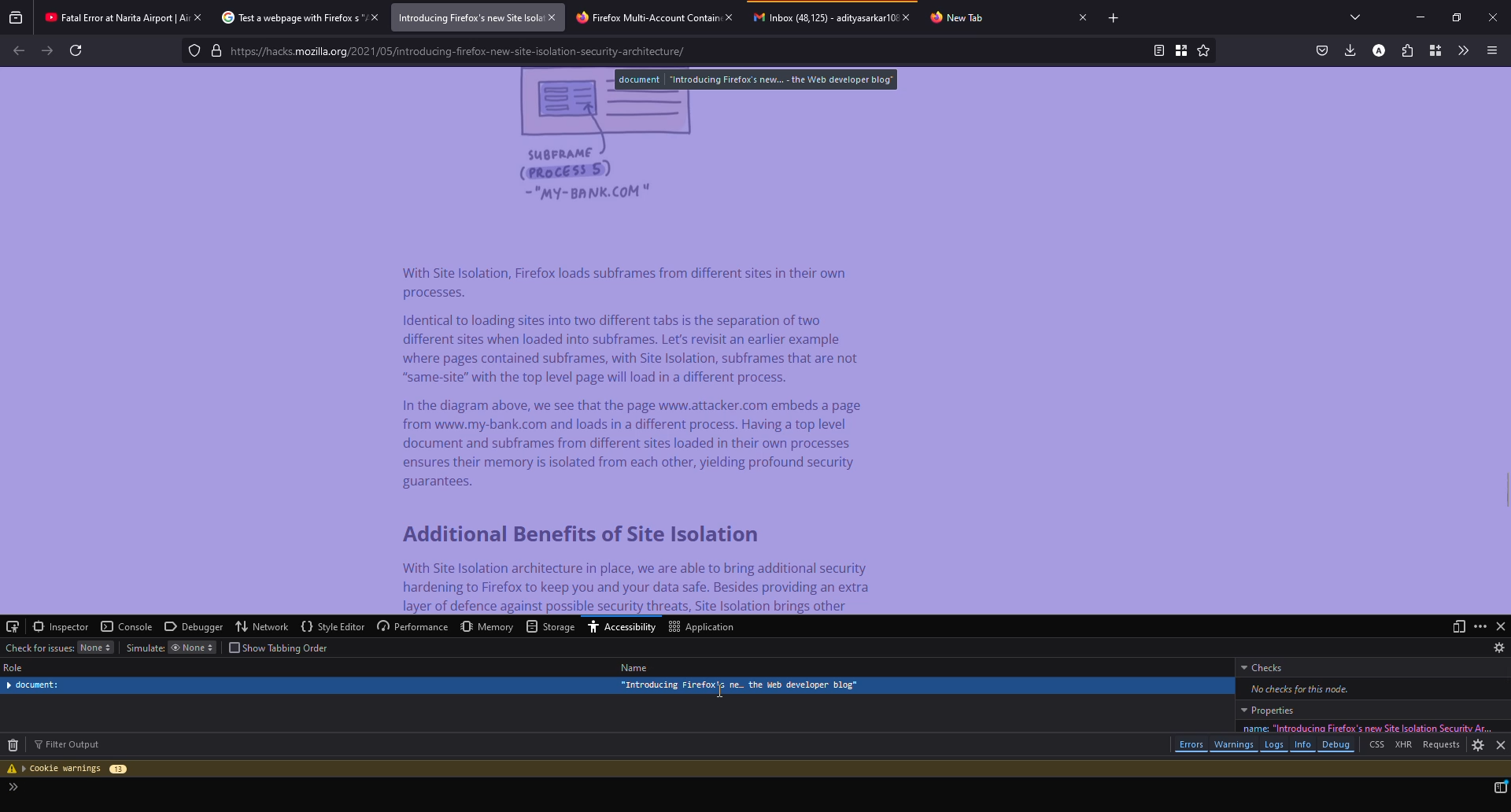  Describe the element at coordinates (465, 17) in the screenshot. I see `Introducing Firefox's new Site Isola` at that location.